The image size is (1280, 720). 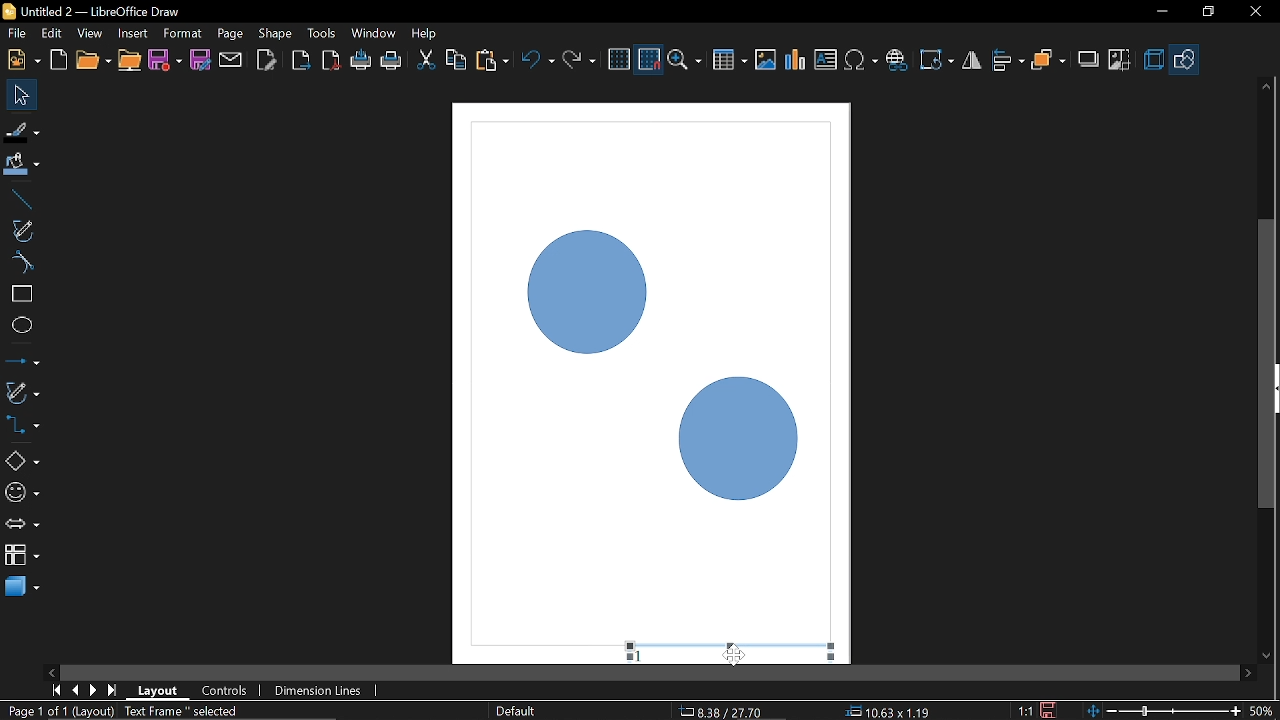 I want to click on co-ordinate, so click(x=888, y=711).